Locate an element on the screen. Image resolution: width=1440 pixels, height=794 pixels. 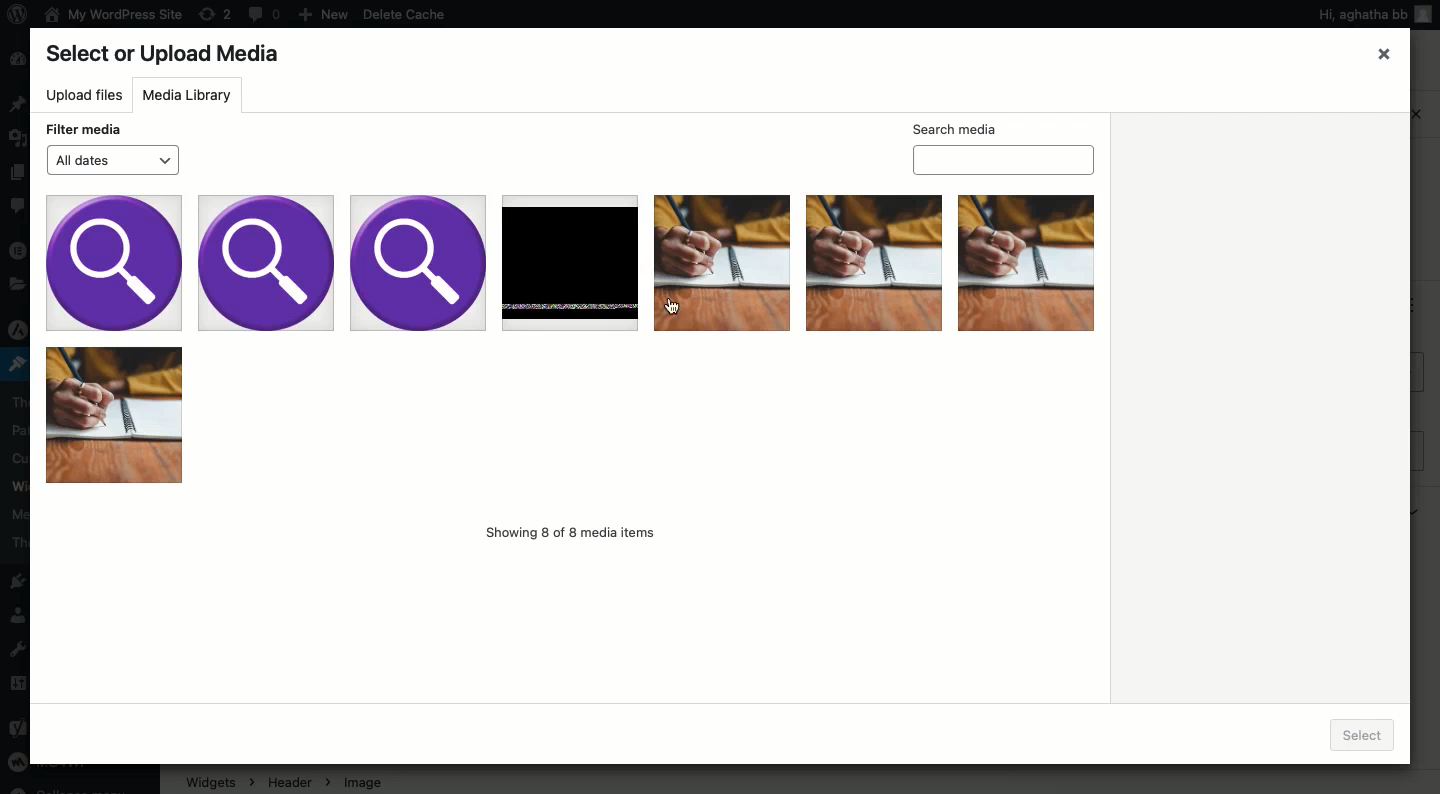
Close is located at coordinates (1385, 53).